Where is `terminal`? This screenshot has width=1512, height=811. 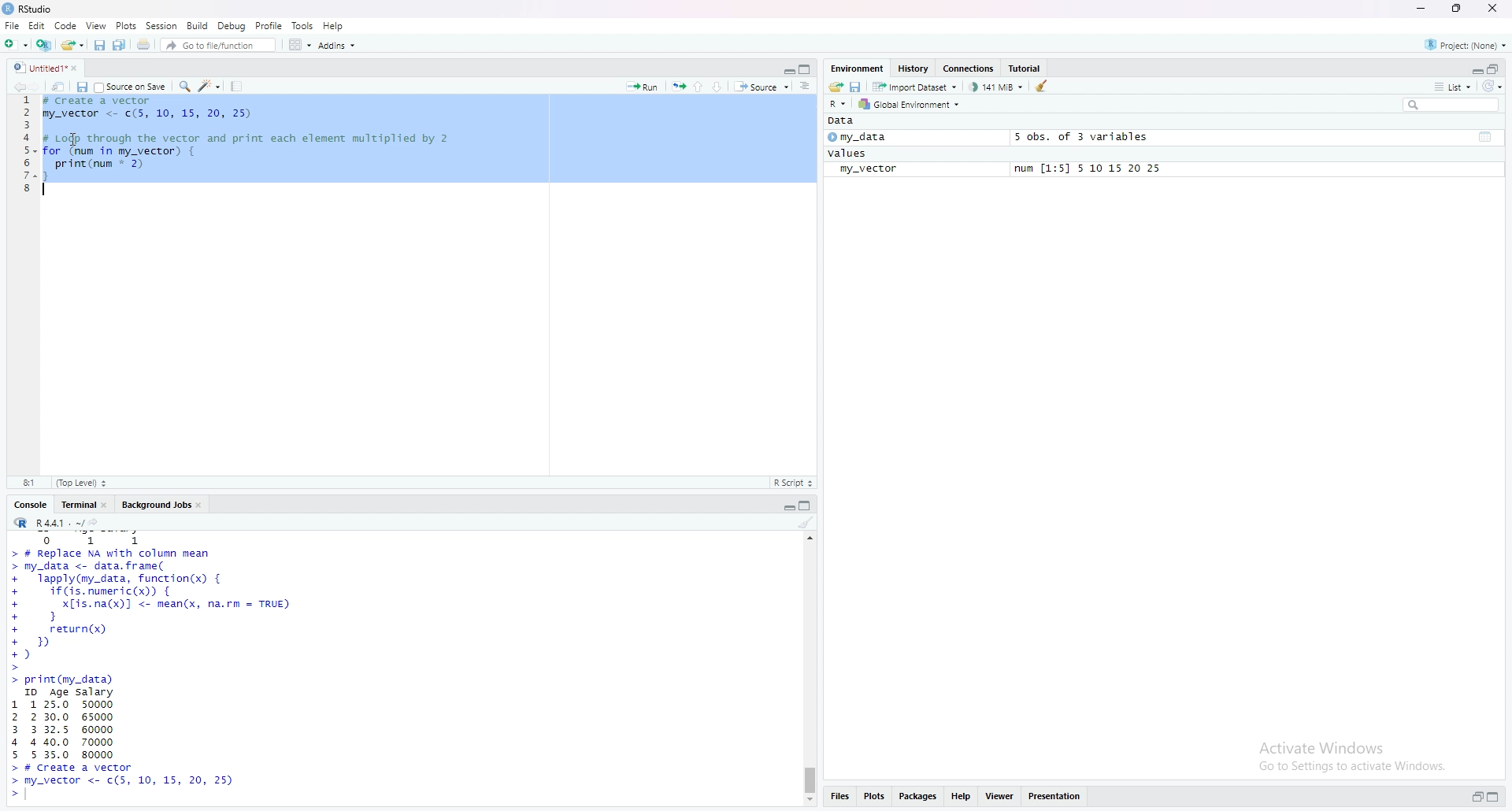 terminal is located at coordinates (82, 505).